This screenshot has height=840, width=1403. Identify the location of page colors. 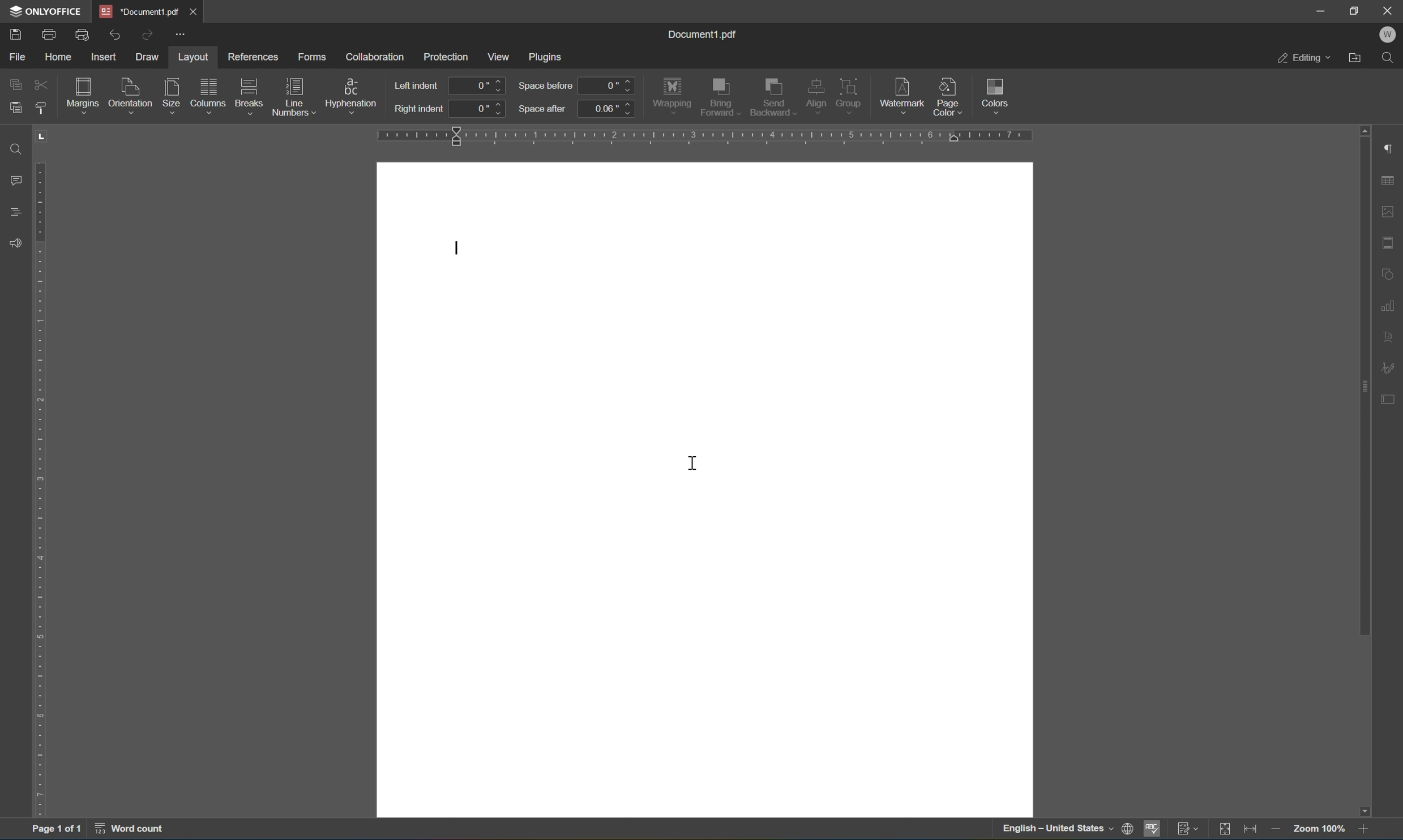
(947, 96).